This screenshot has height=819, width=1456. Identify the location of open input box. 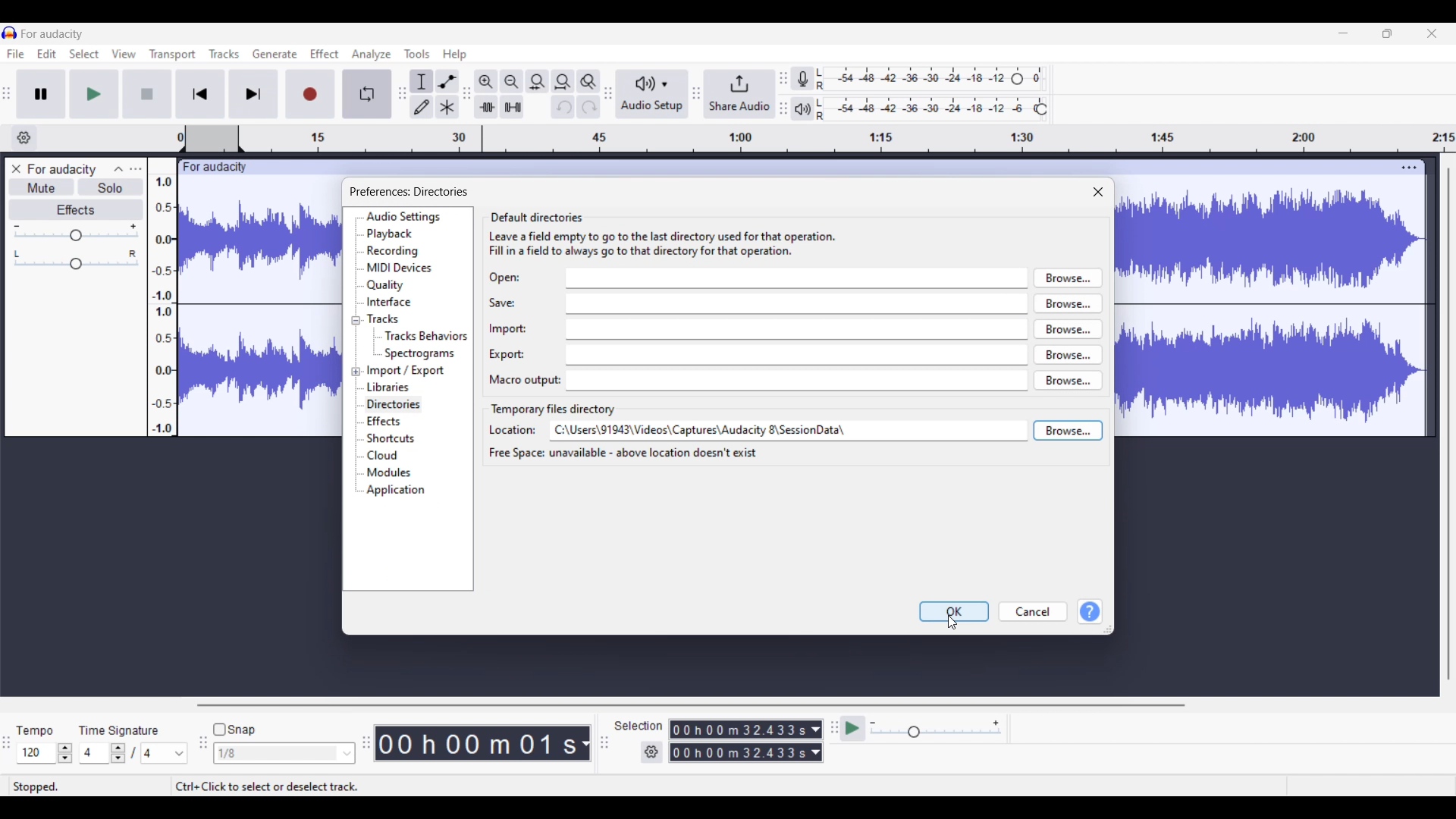
(798, 278).